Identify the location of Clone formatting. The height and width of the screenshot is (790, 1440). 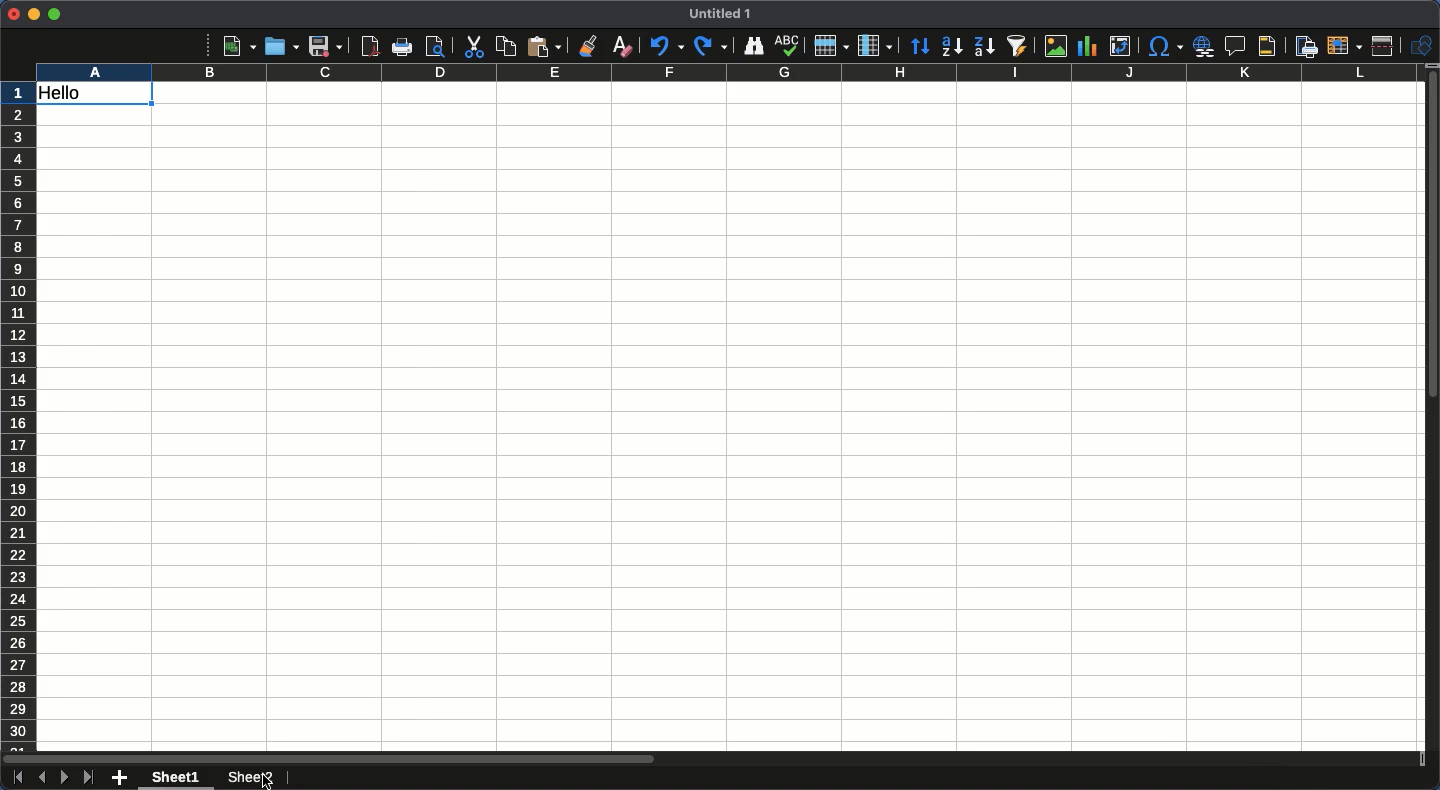
(589, 46).